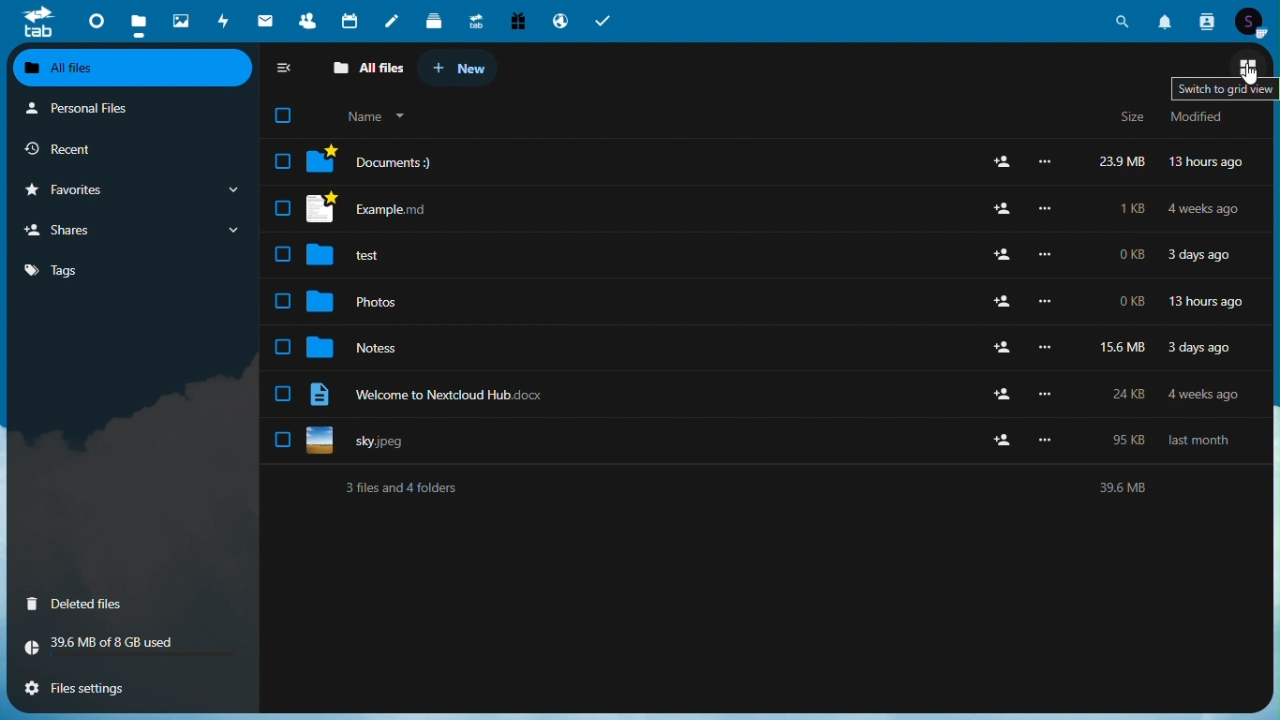 The width and height of the screenshot is (1280, 720). Describe the element at coordinates (133, 69) in the screenshot. I see `all files` at that location.